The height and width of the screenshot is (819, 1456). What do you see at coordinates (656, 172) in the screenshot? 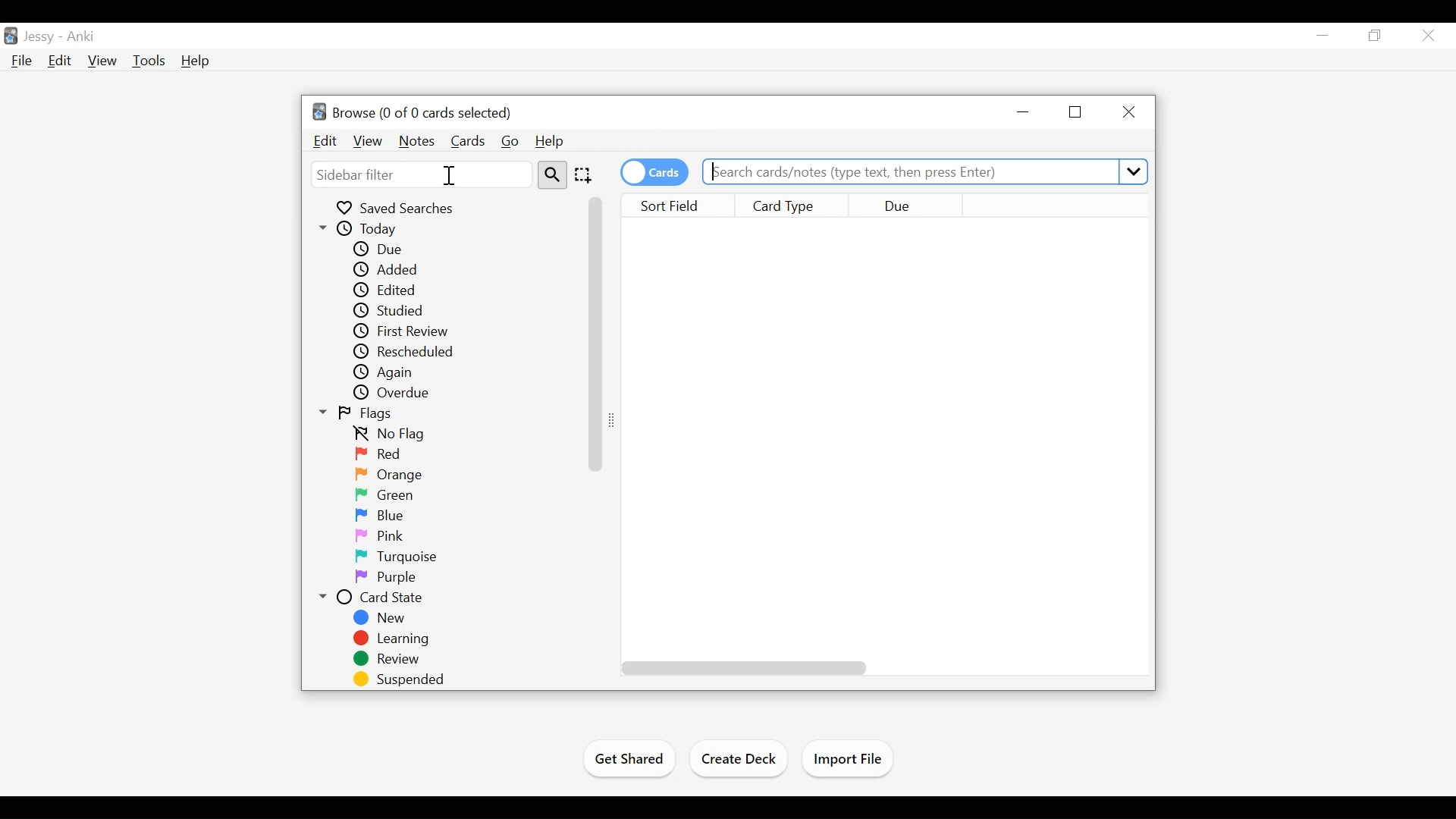
I see `Toggle Cards` at bounding box center [656, 172].